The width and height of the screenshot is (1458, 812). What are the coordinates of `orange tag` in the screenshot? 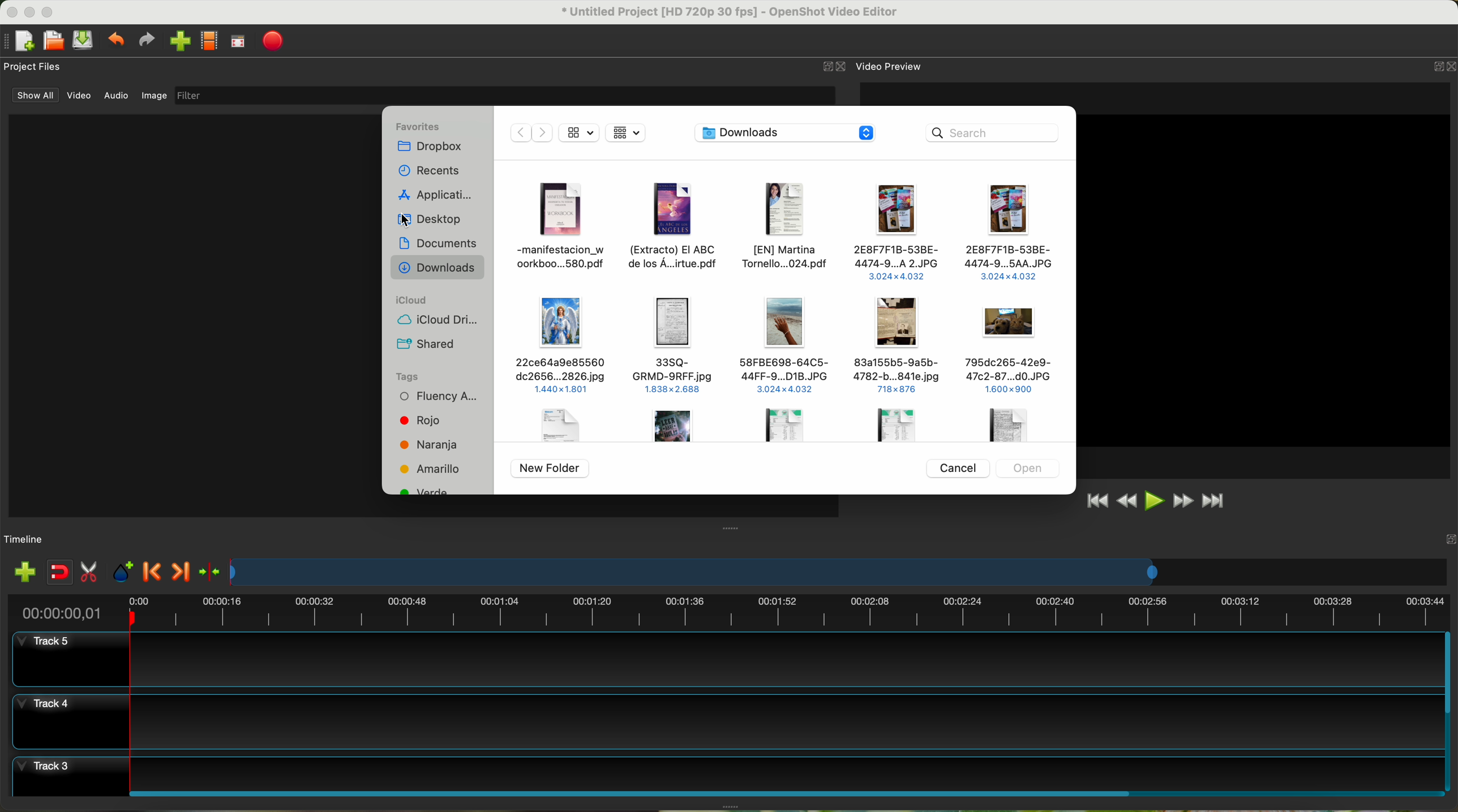 It's located at (431, 446).